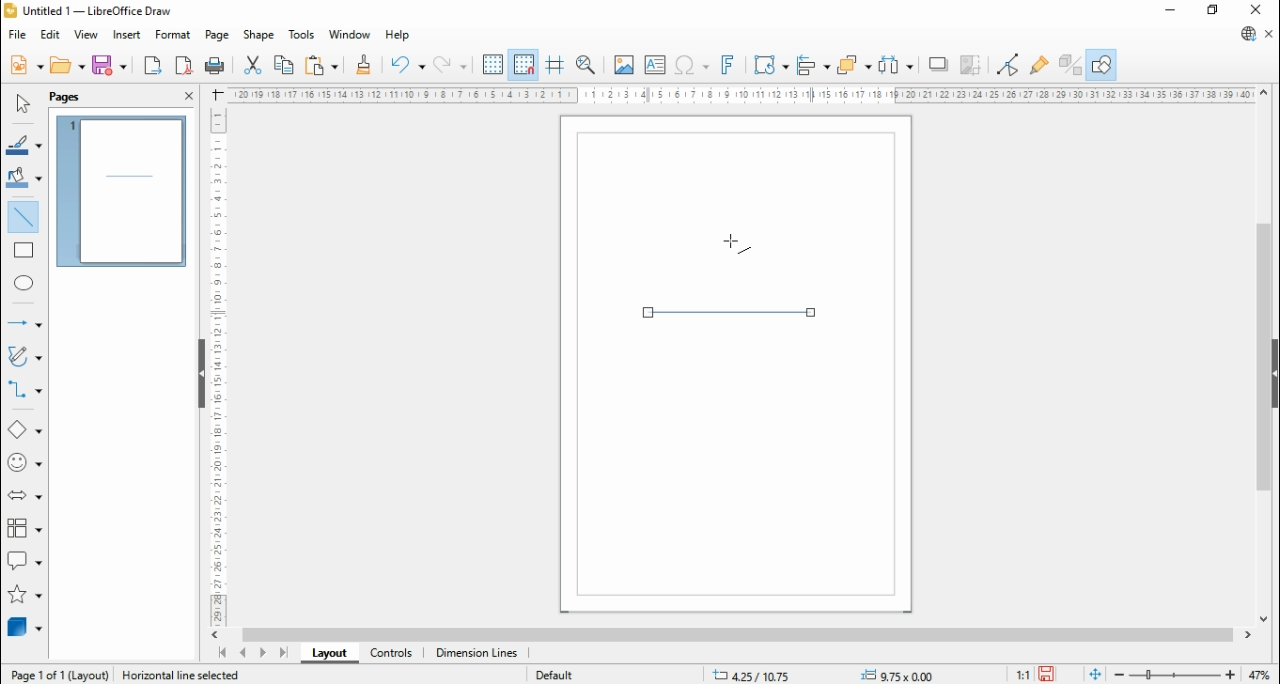  I want to click on insert image, so click(623, 64).